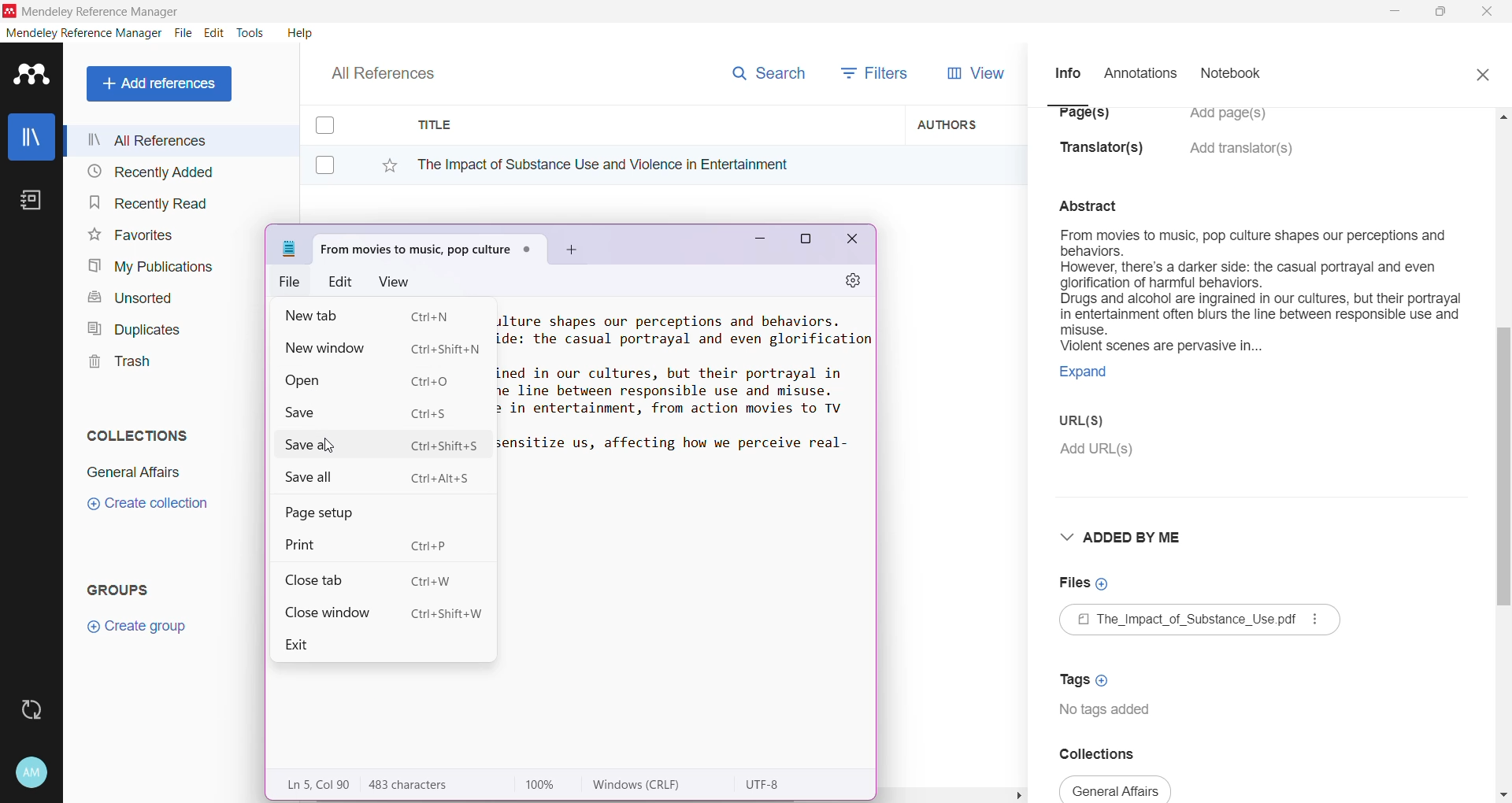 Image resolution: width=1512 pixels, height=803 pixels. Describe the element at coordinates (754, 243) in the screenshot. I see `Minimize` at that location.